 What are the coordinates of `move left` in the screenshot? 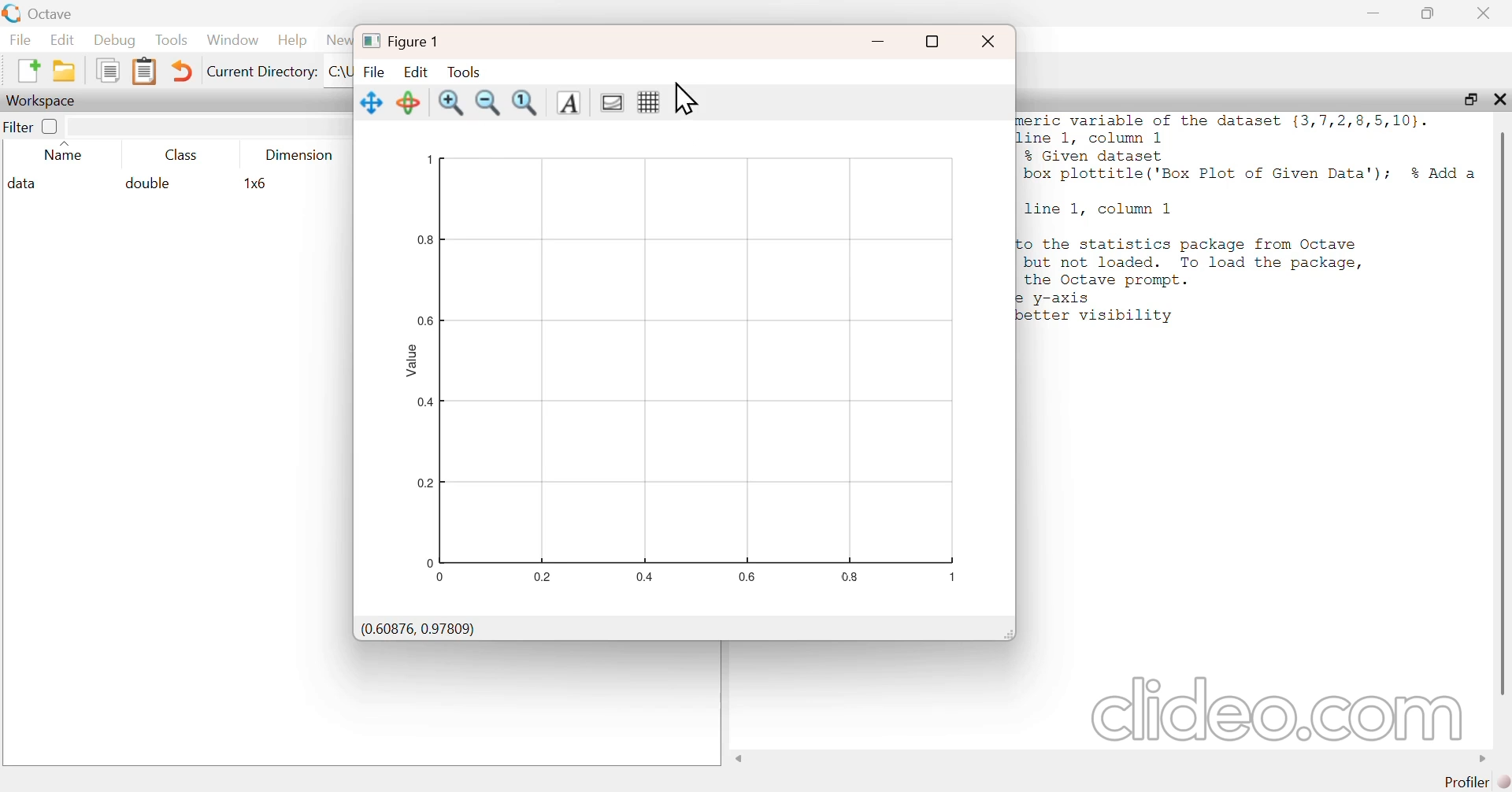 It's located at (742, 758).